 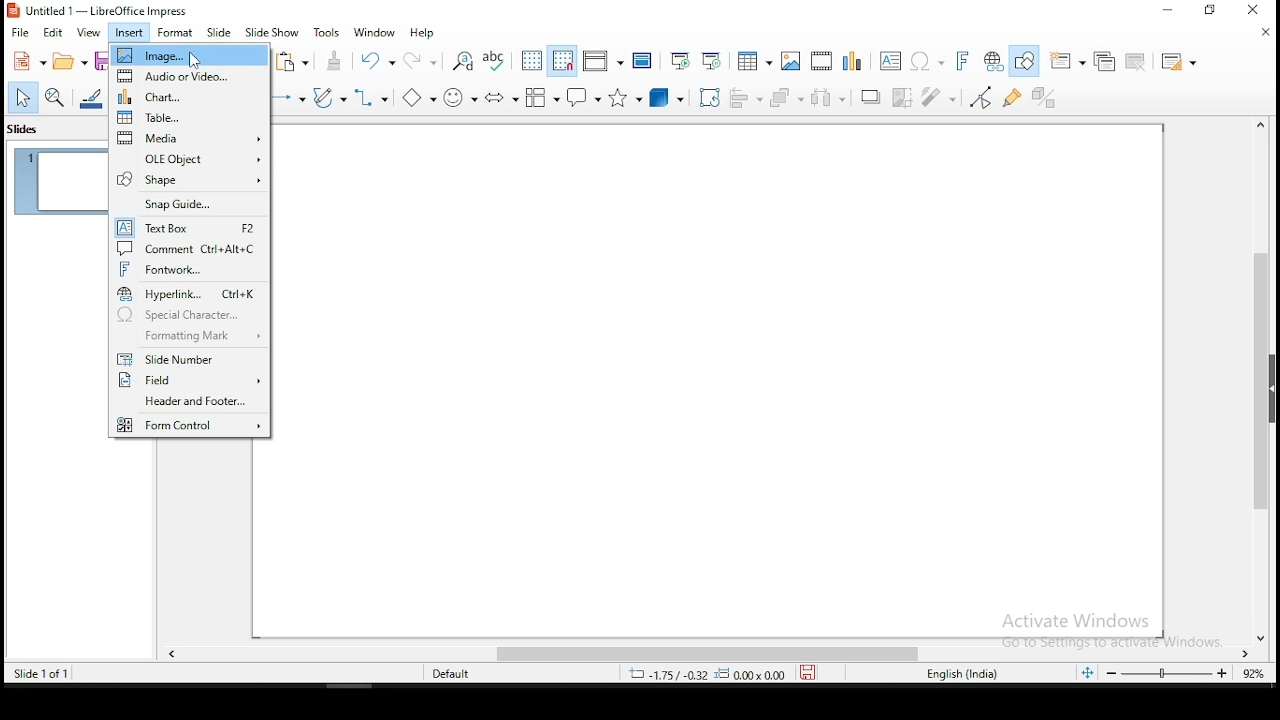 What do you see at coordinates (271, 33) in the screenshot?
I see `slide show` at bounding box center [271, 33].